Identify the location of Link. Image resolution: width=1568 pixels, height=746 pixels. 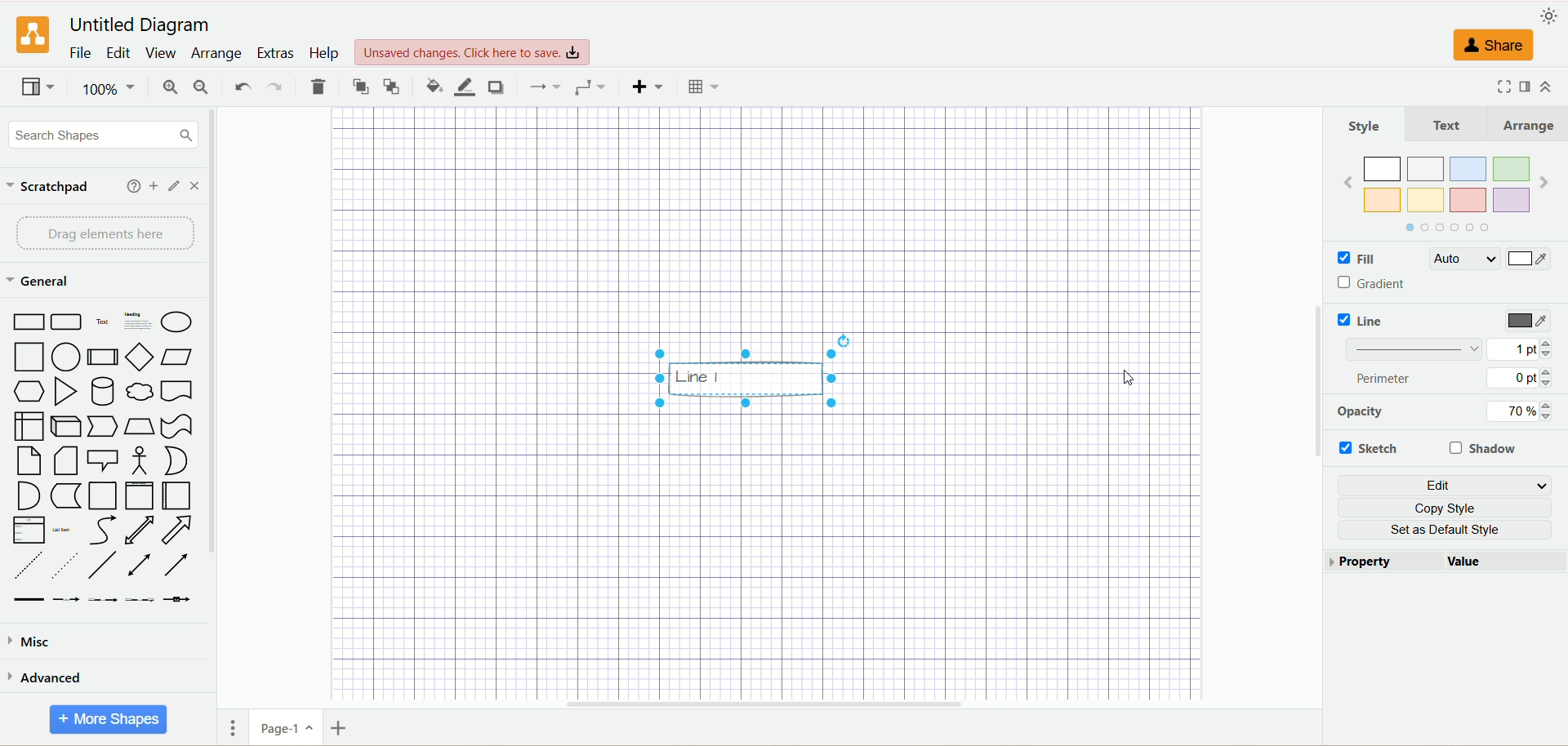
(29, 601).